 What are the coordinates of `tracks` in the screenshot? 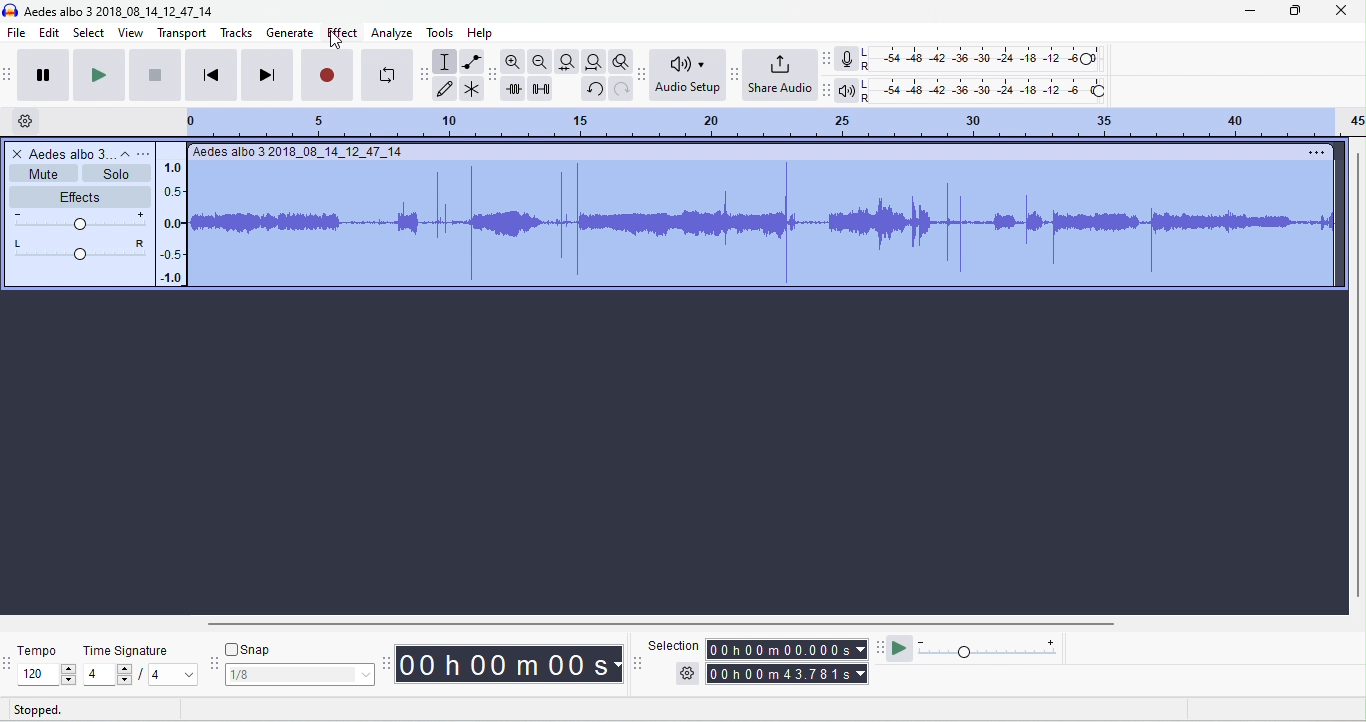 It's located at (236, 34).